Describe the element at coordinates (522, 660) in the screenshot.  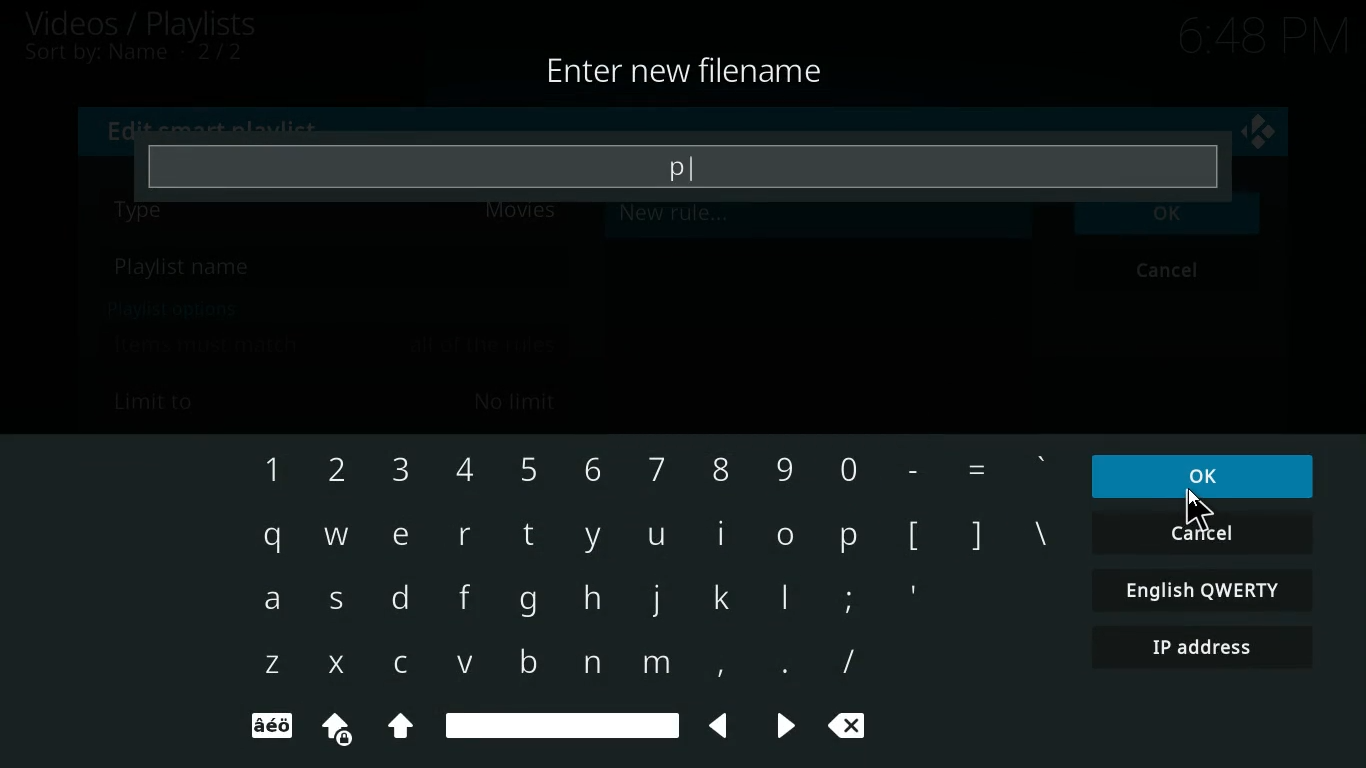
I see `b` at that location.